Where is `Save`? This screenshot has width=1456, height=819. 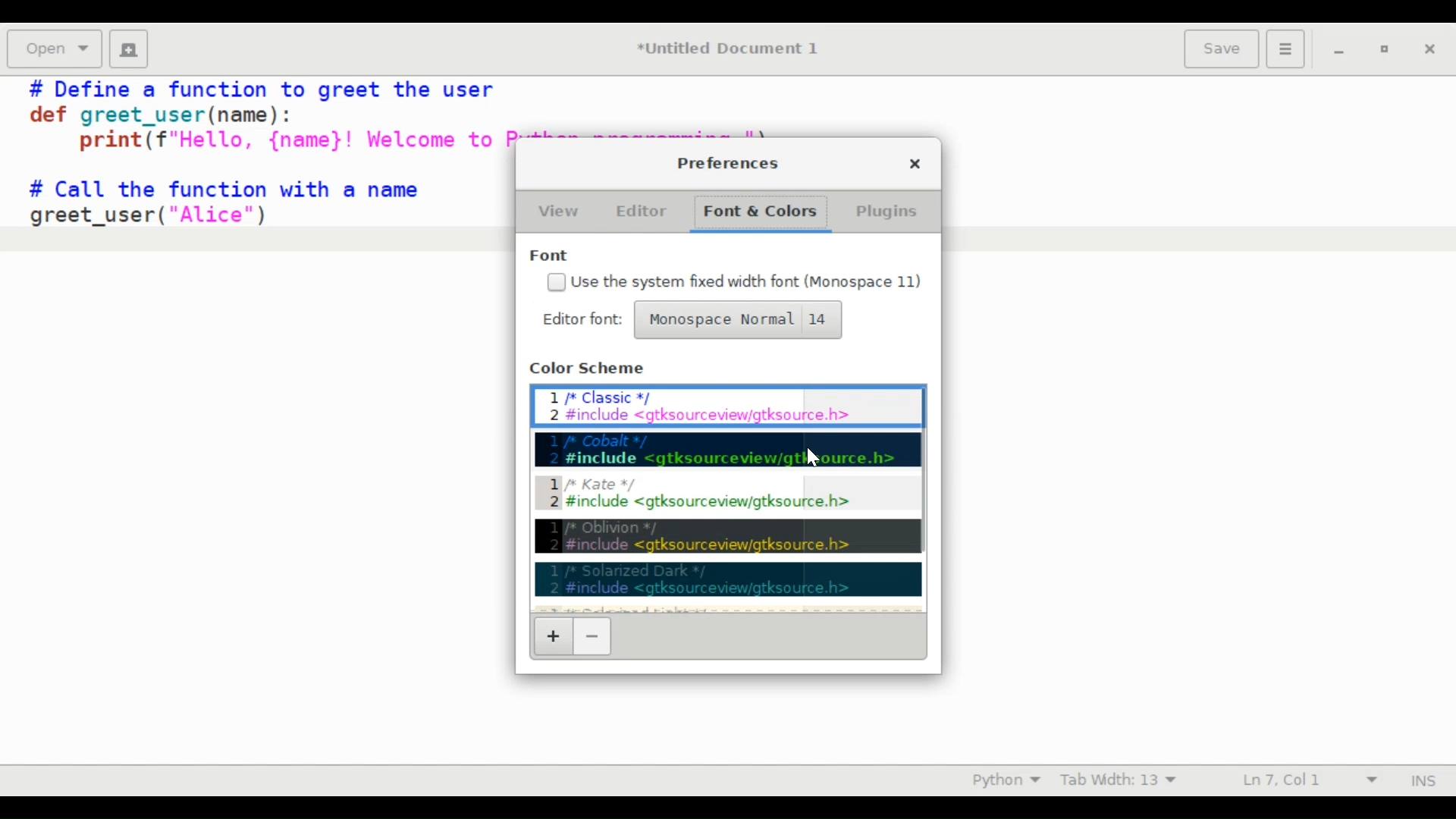 Save is located at coordinates (1223, 48).